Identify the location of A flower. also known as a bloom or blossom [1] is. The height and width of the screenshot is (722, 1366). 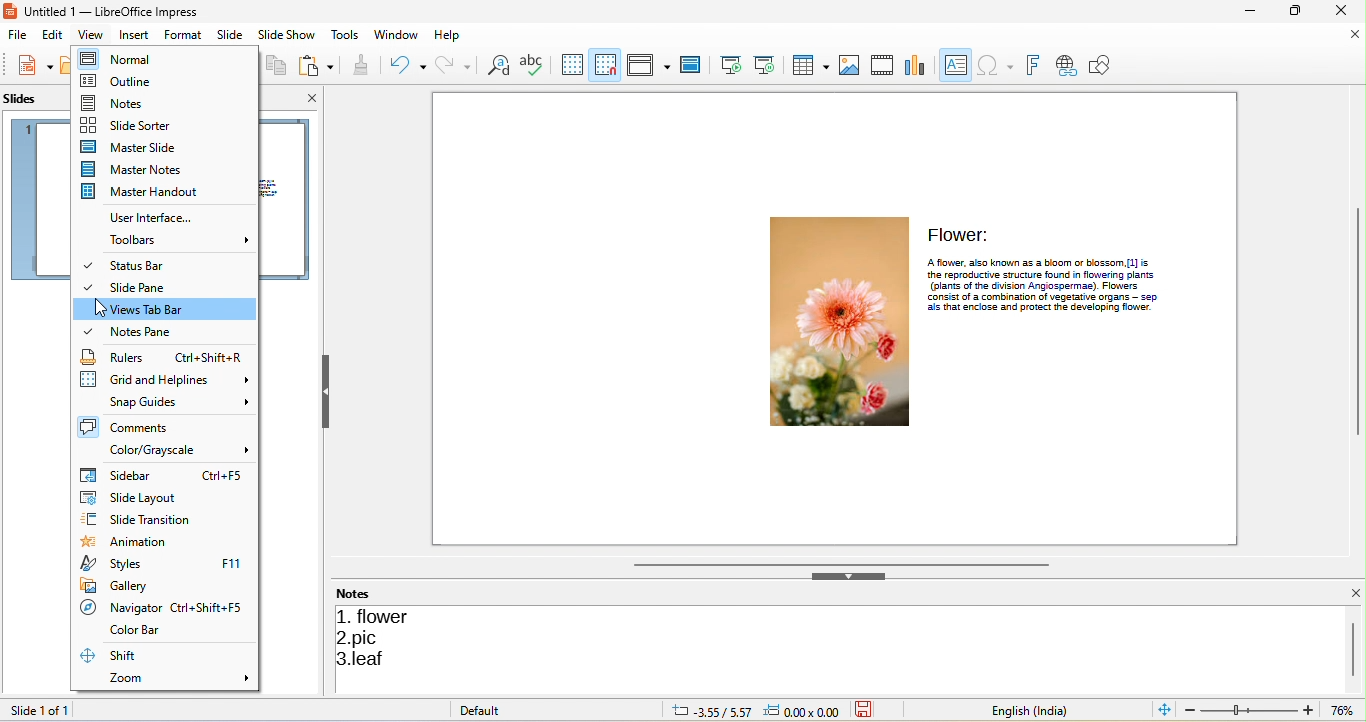
(1037, 263).